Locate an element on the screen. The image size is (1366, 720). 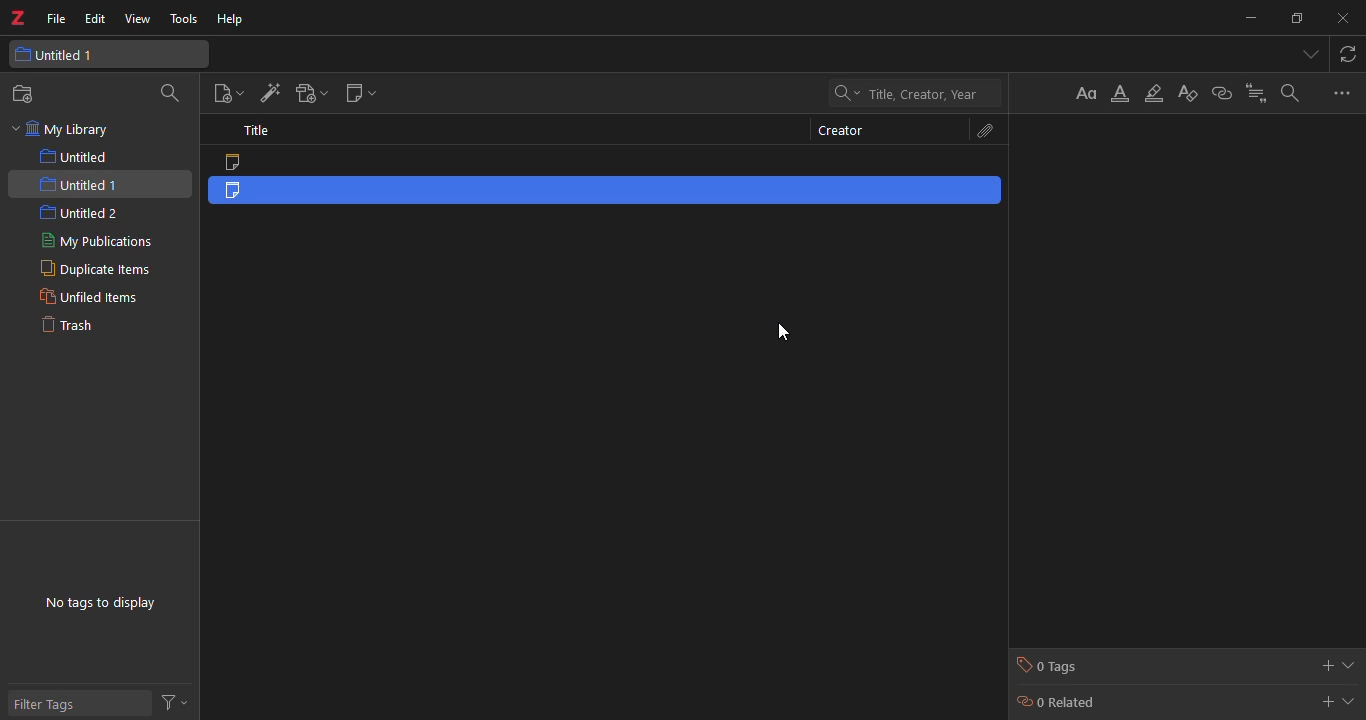
untitled 1 is located at coordinates (57, 56).